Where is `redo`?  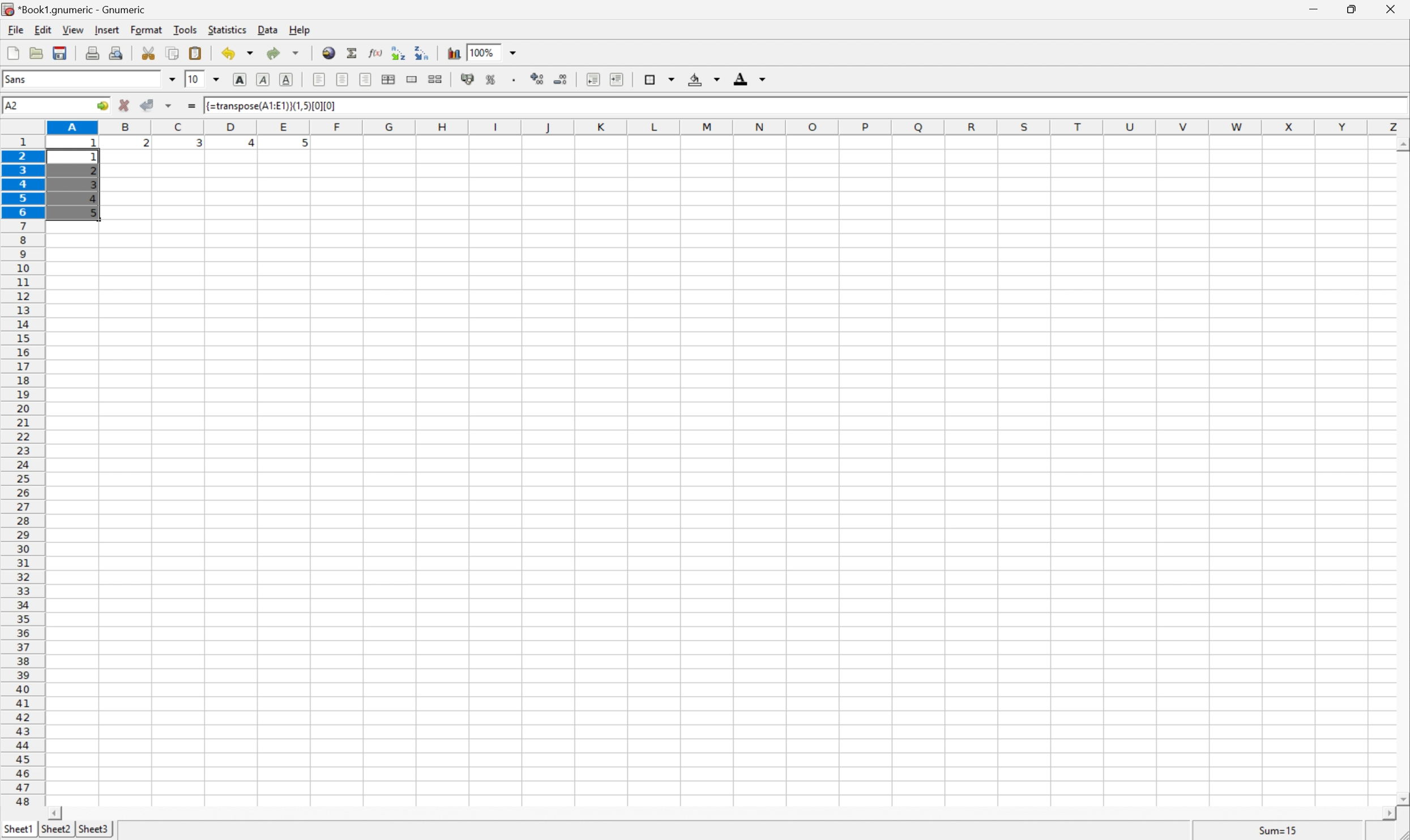 redo is located at coordinates (285, 53).